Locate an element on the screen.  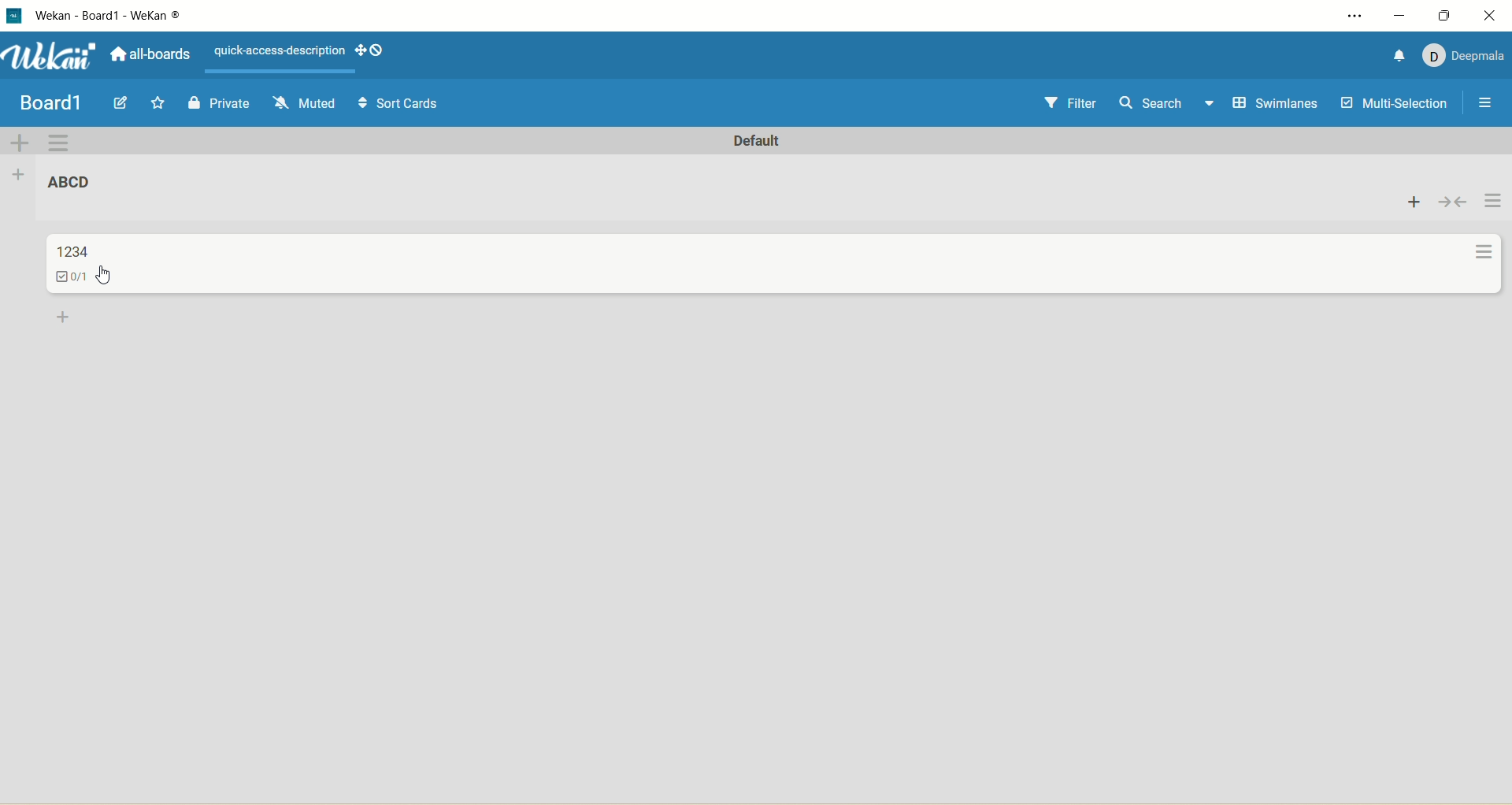
private is located at coordinates (220, 102).